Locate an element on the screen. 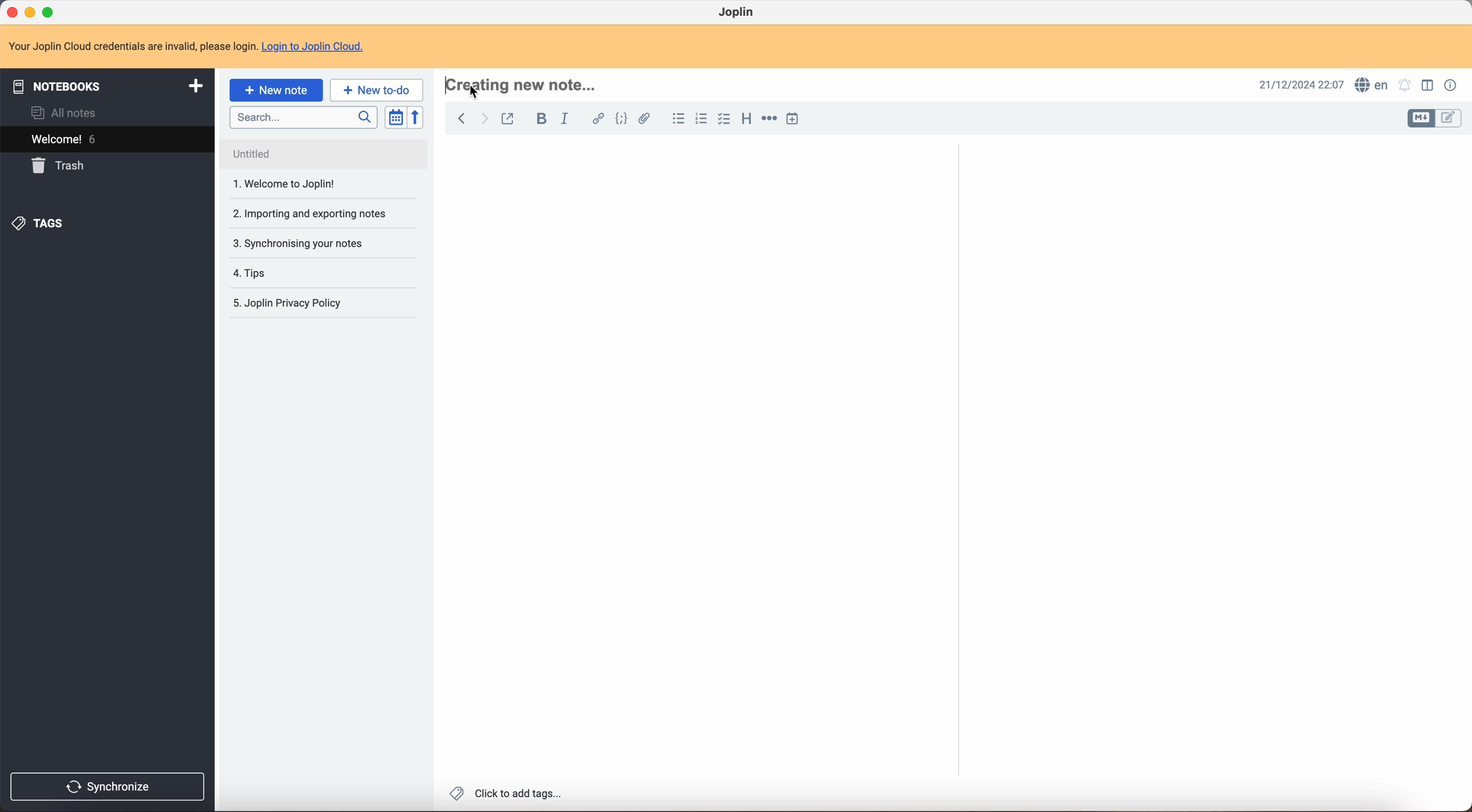 This screenshot has width=1472, height=812. scroll bar is located at coordinates (956, 345).